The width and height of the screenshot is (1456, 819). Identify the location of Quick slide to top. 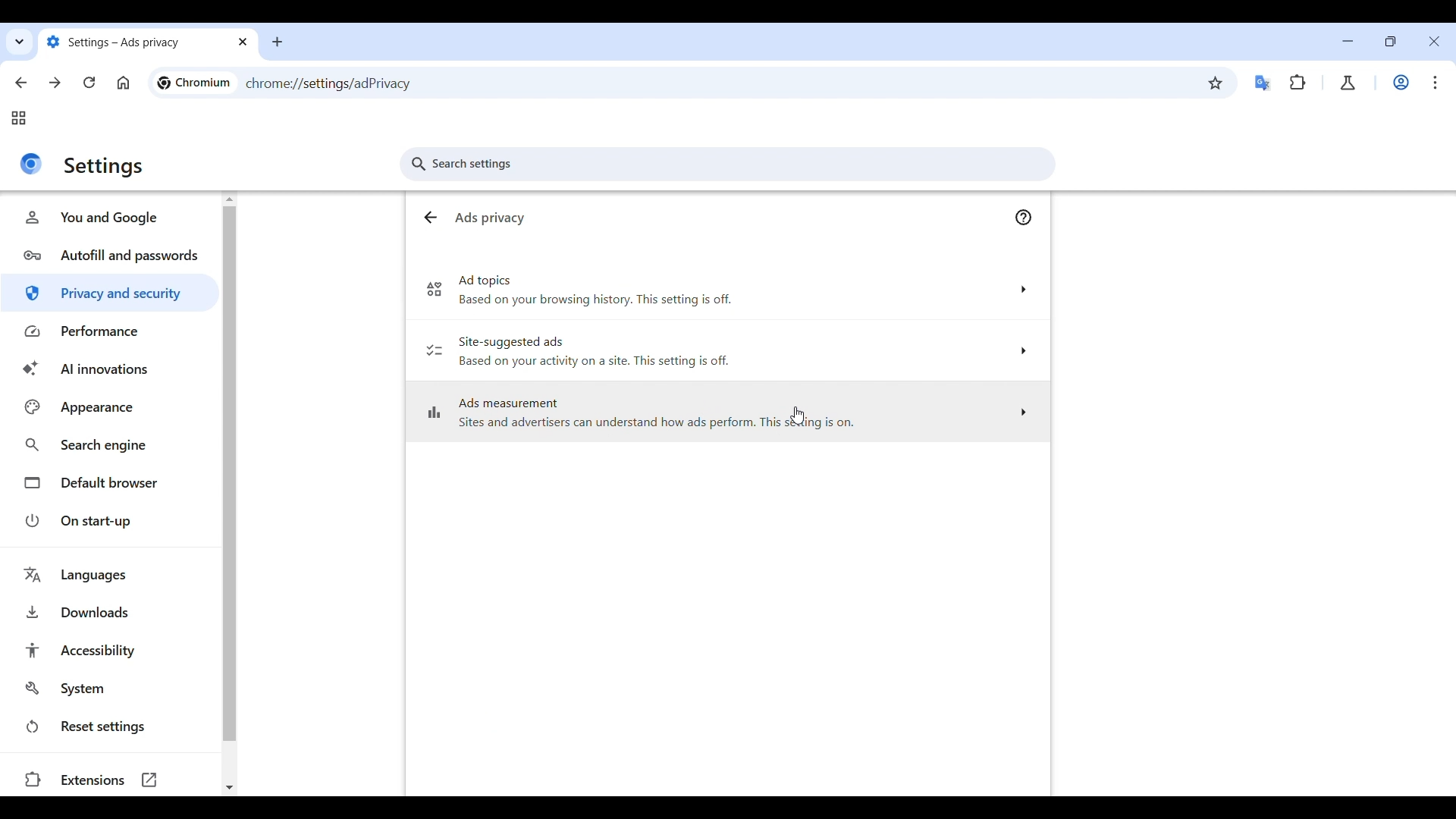
(230, 199).